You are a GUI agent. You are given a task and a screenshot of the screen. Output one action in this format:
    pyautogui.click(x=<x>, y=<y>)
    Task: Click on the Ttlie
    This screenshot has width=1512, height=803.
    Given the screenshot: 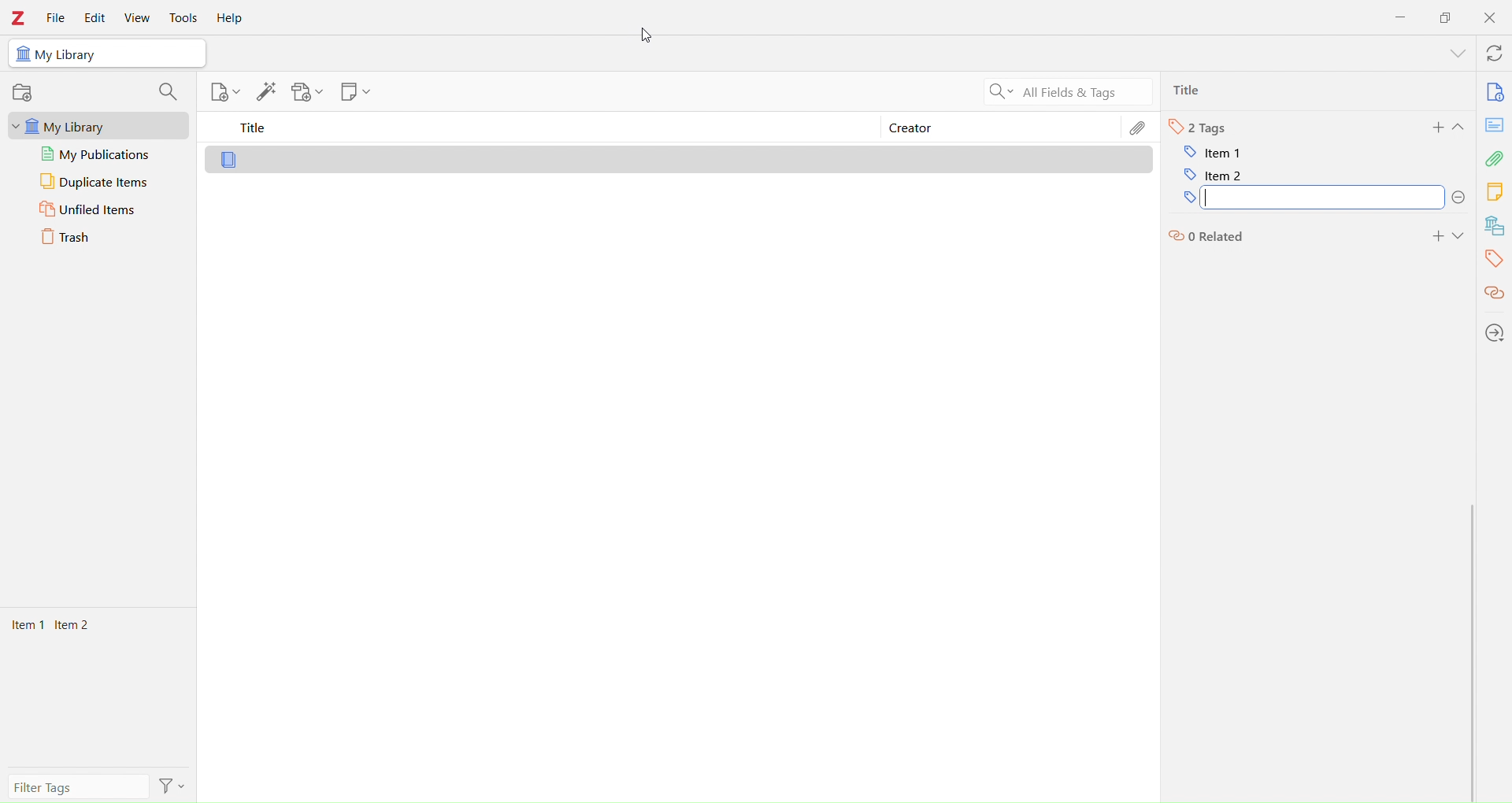 What is the action you would take?
    pyautogui.click(x=1191, y=90)
    